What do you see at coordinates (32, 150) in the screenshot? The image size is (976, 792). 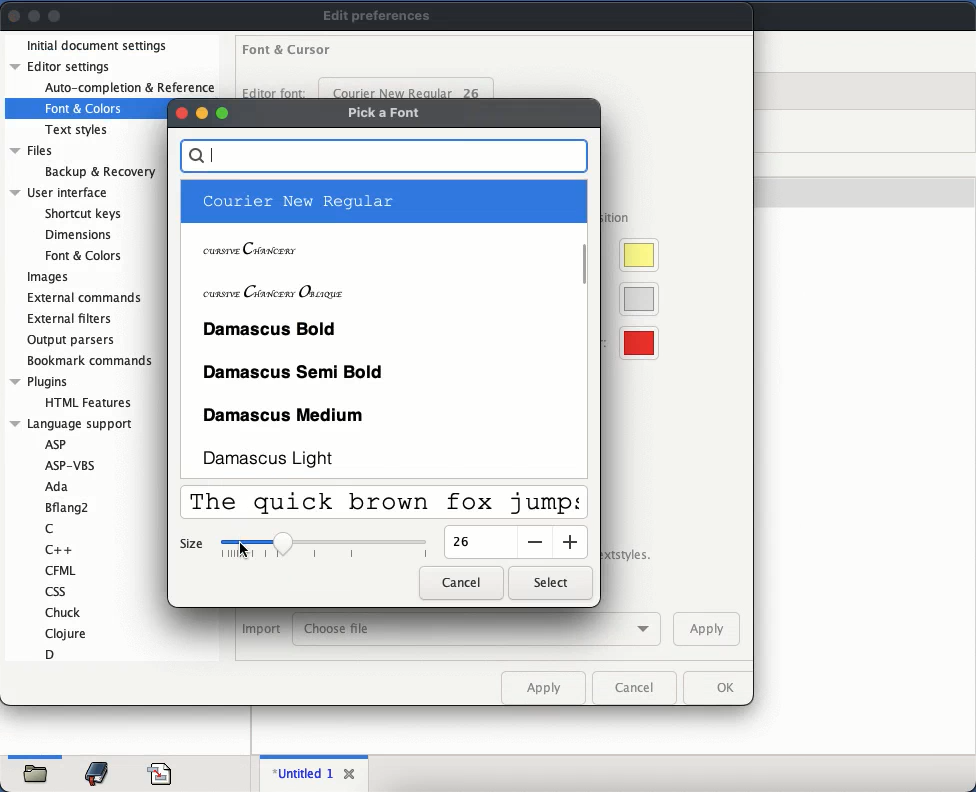 I see `Files` at bounding box center [32, 150].